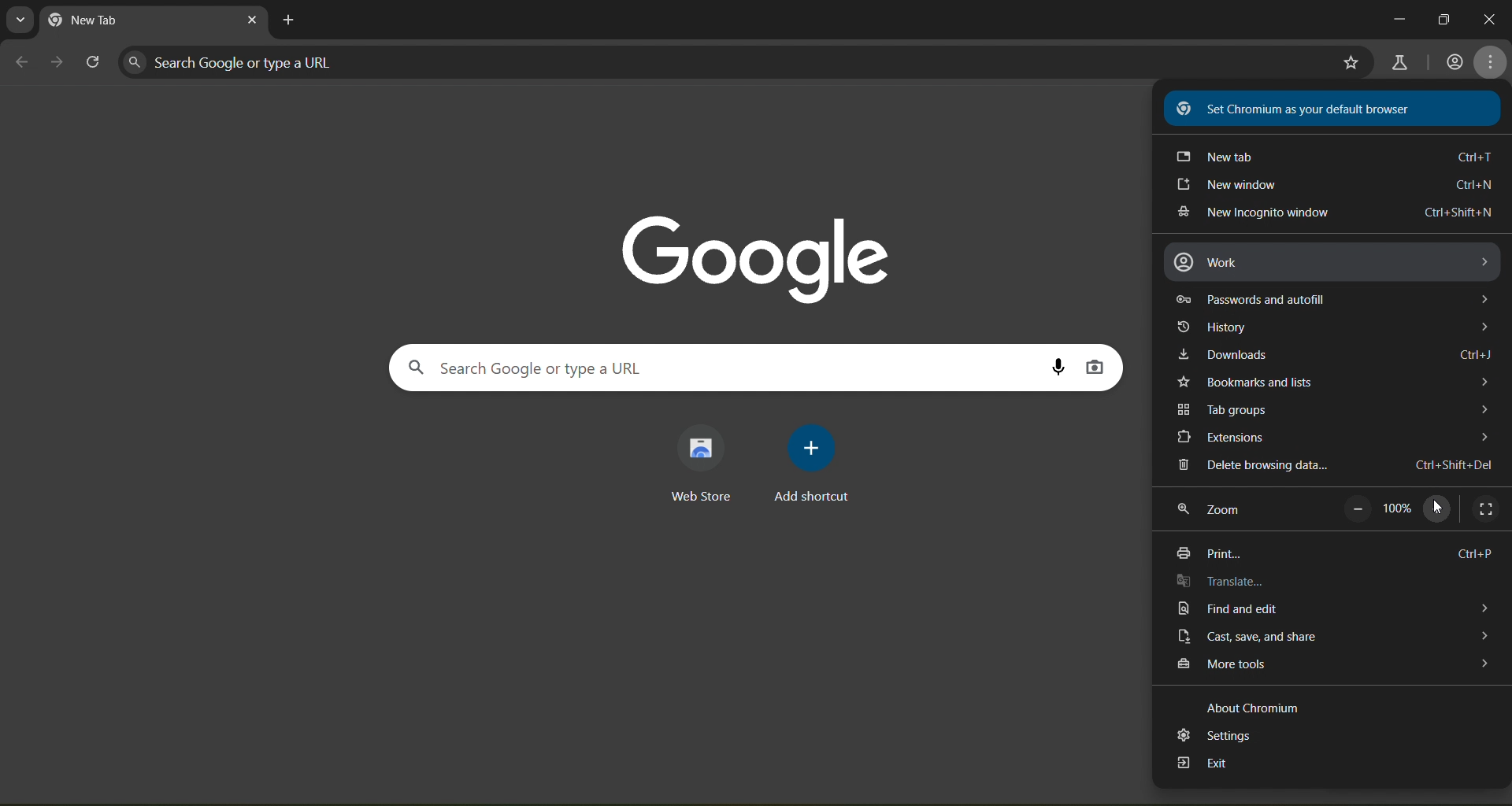 This screenshot has width=1512, height=806. What do you see at coordinates (1332, 466) in the screenshot?
I see `delete brosing data` at bounding box center [1332, 466].